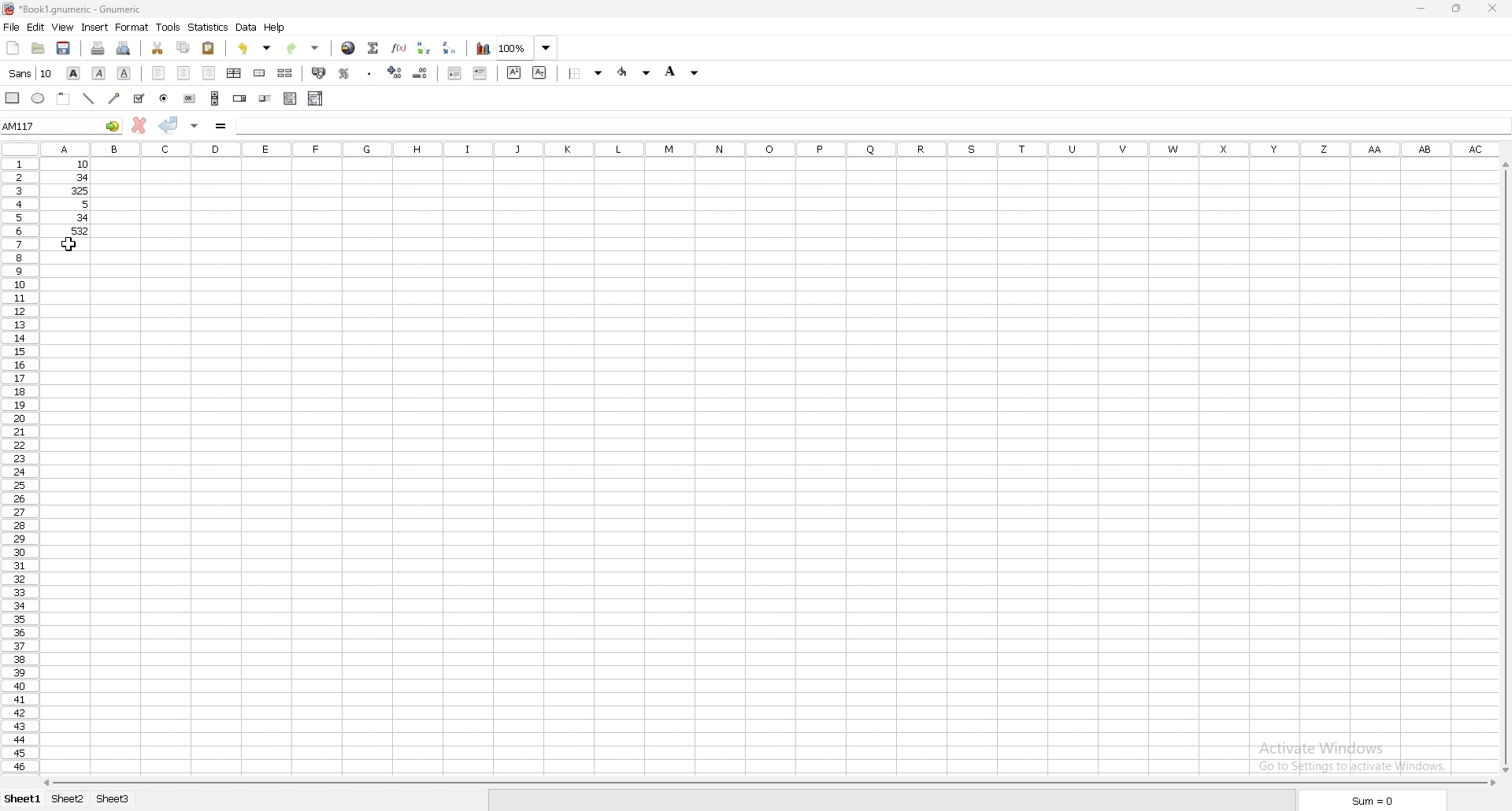  Describe the element at coordinates (395, 72) in the screenshot. I see `increase decimals` at that location.